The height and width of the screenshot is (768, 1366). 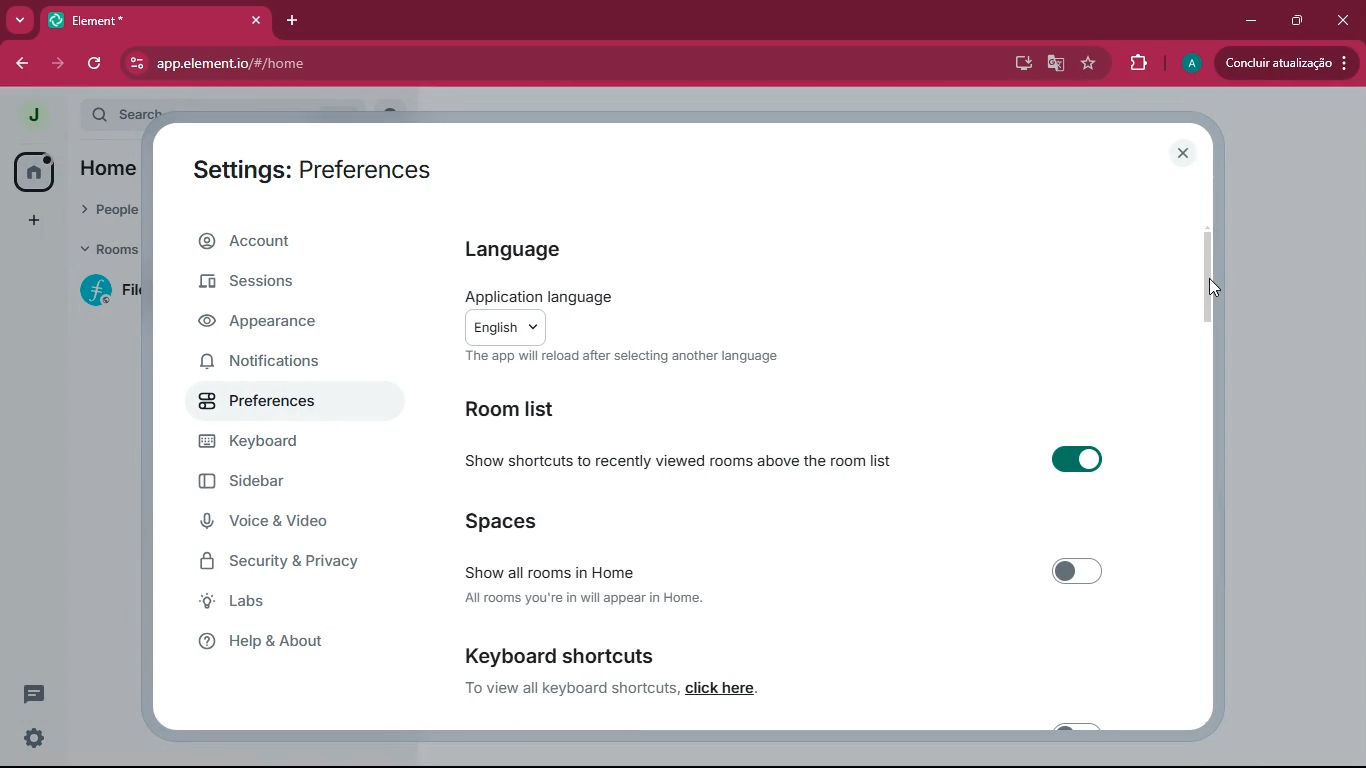 What do you see at coordinates (1205, 280) in the screenshot?
I see `scroll bar` at bounding box center [1205, 280].